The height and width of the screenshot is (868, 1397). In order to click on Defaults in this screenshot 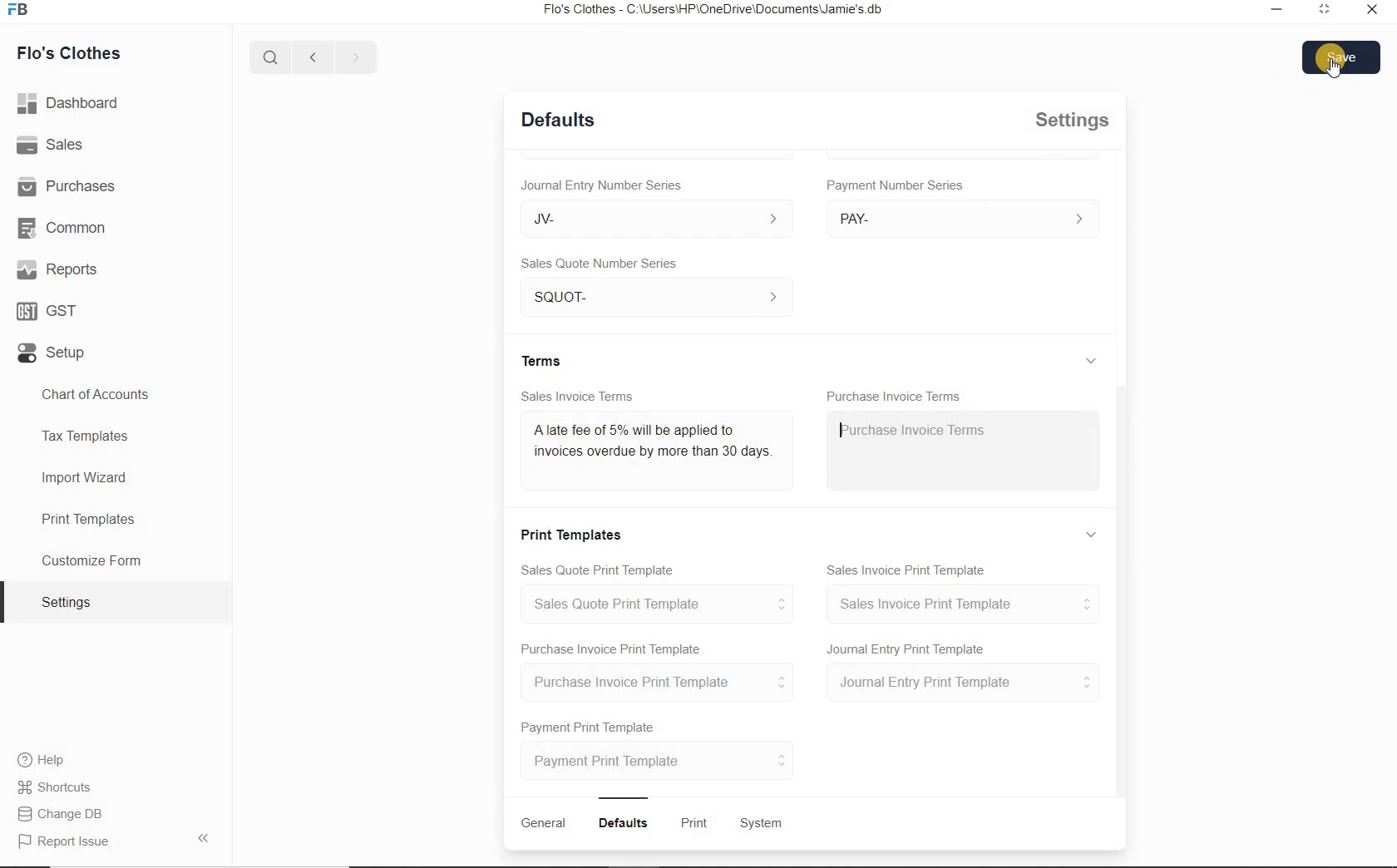, I will do `click(626, 823)`.